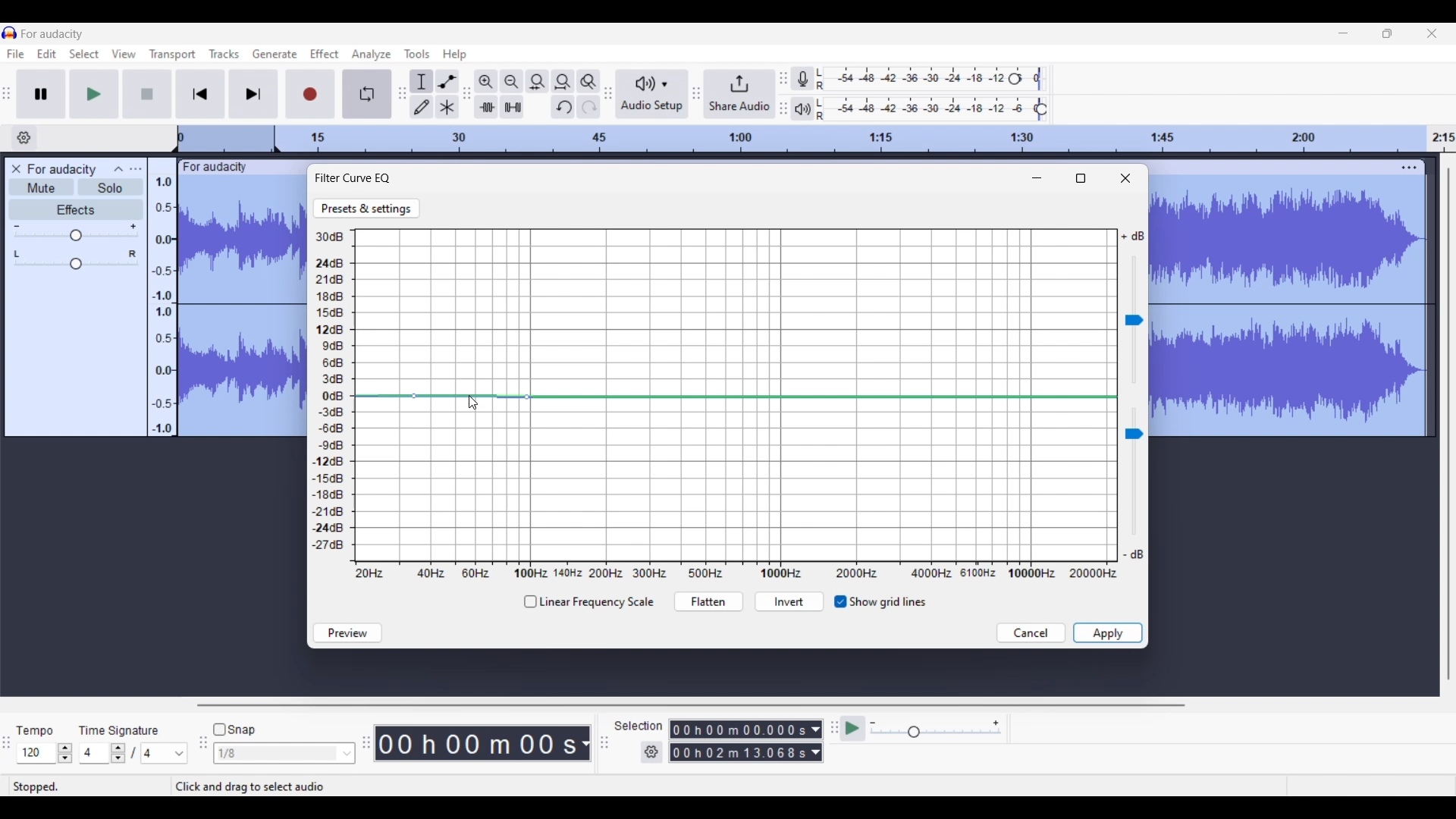  I want to click on X axis representing Hertz, so click(736, 573).